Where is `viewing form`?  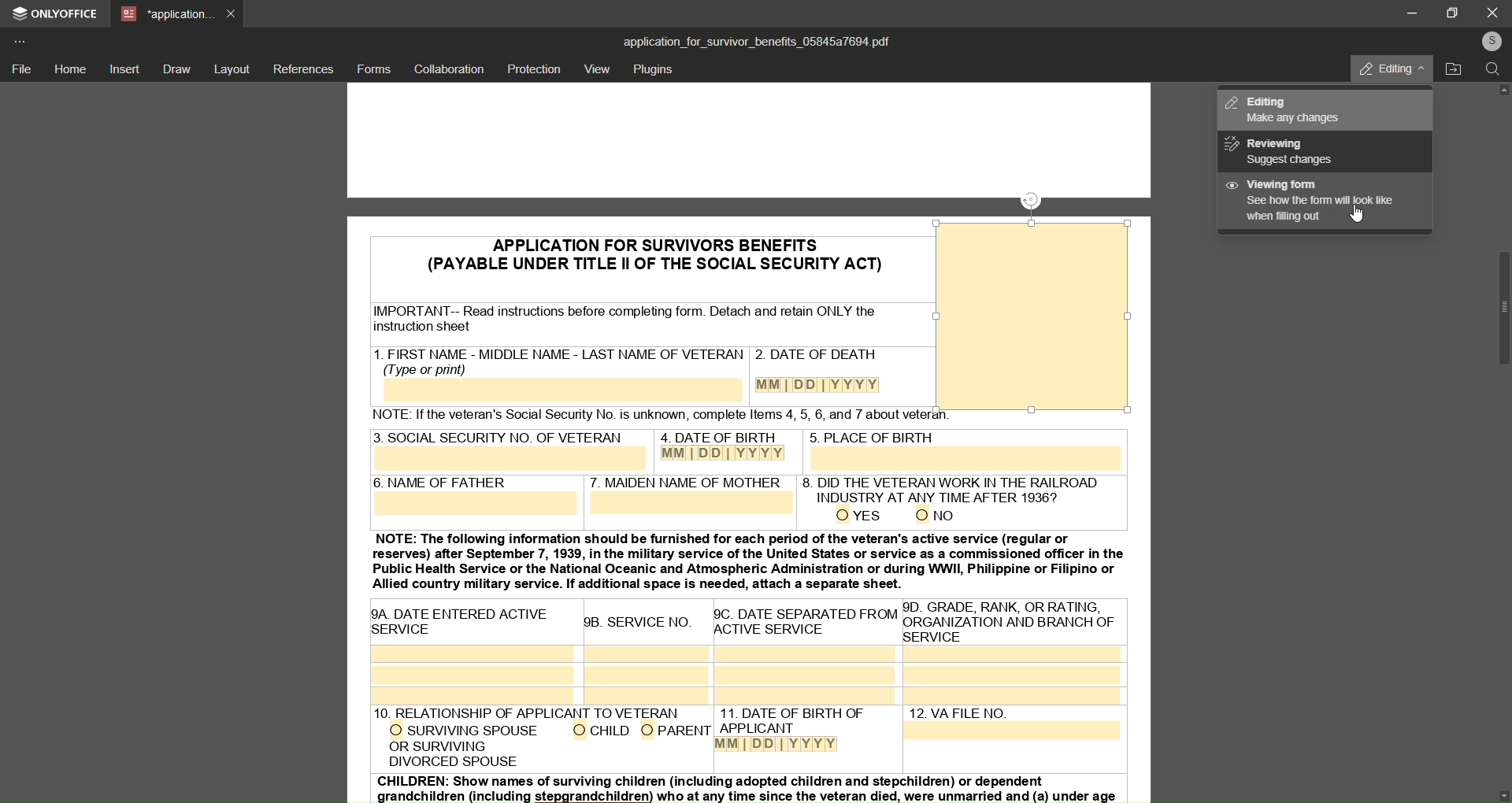 viewing form is located at coordinates (1311, 201).